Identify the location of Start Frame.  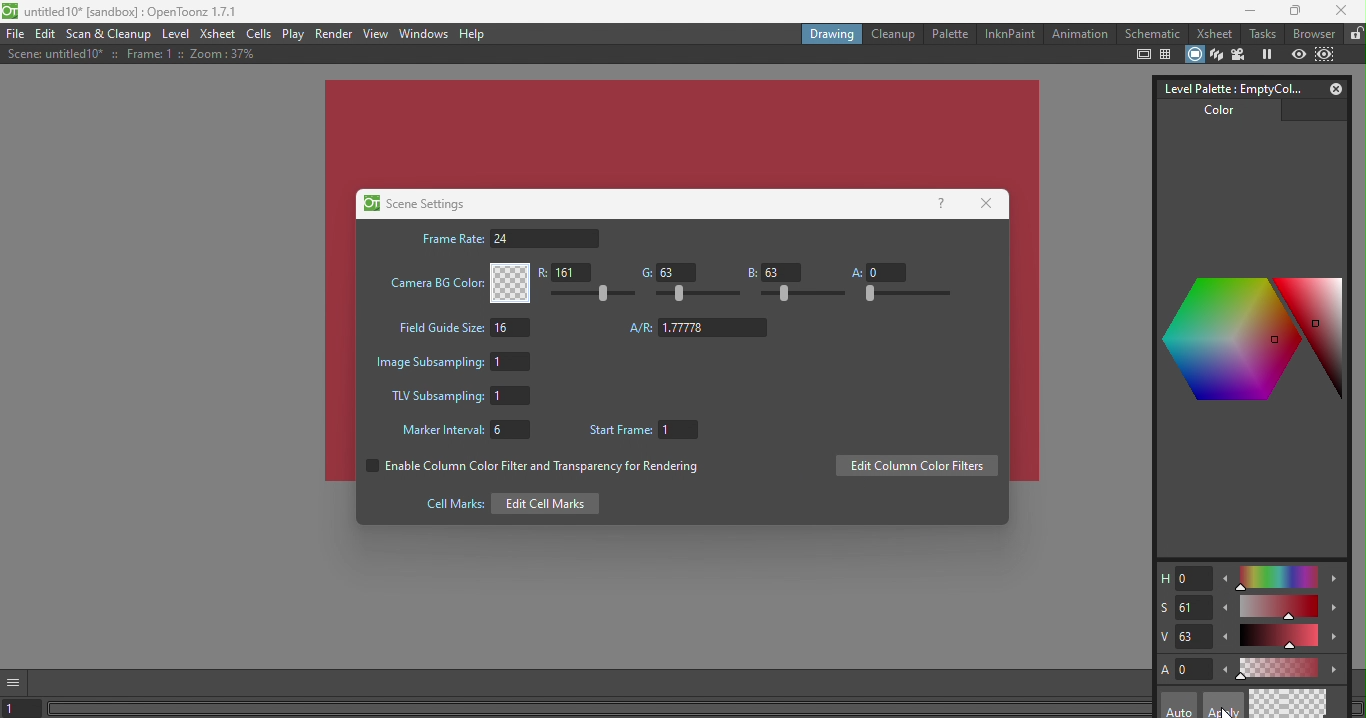
(648, 431).